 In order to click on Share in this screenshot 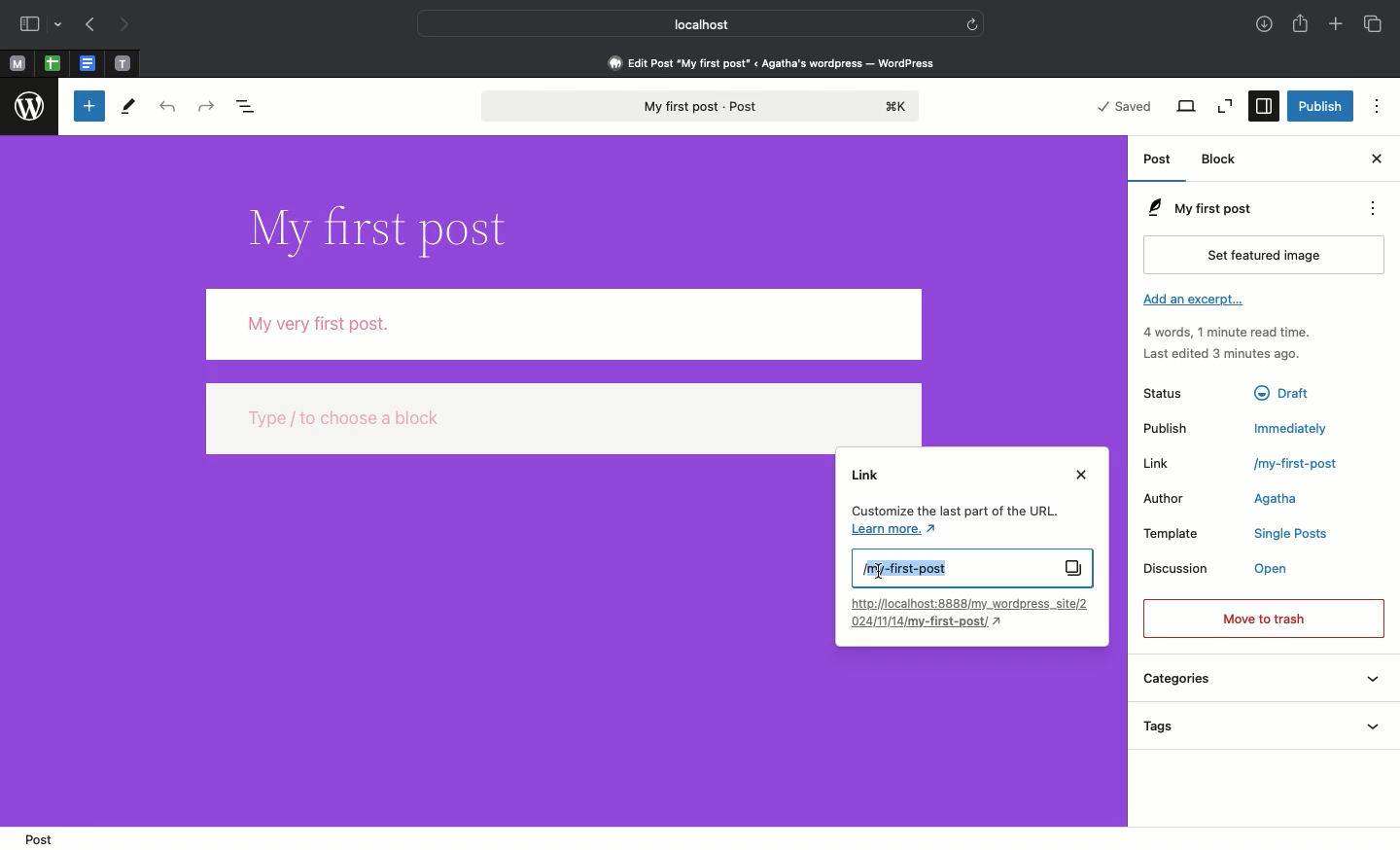, I will do `click(1302, 25)`.